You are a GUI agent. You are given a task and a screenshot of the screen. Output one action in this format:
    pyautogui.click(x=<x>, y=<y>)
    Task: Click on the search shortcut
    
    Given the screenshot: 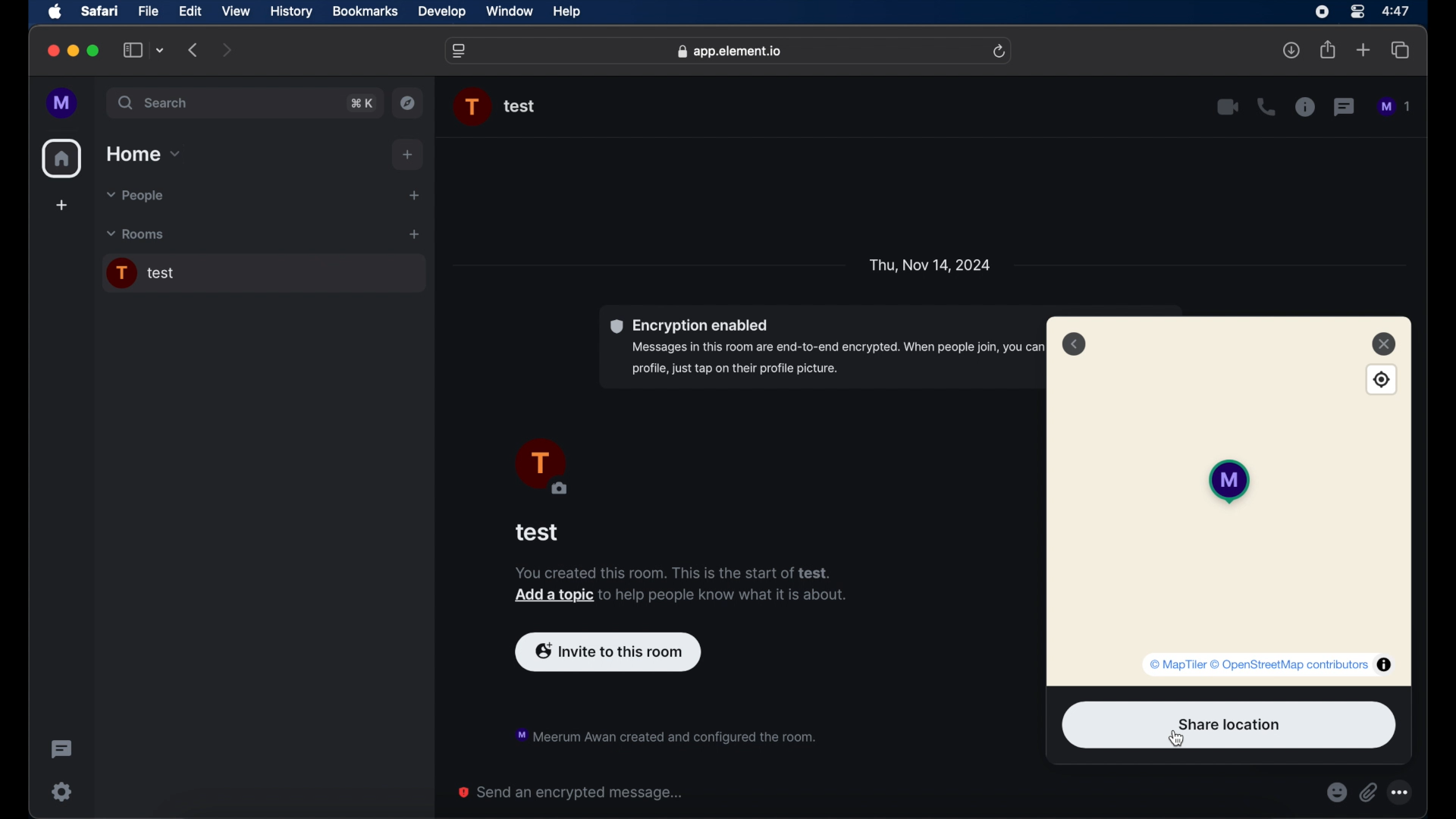 What is the action you would take?
    pyautogui.click(x=361, y=102)
    